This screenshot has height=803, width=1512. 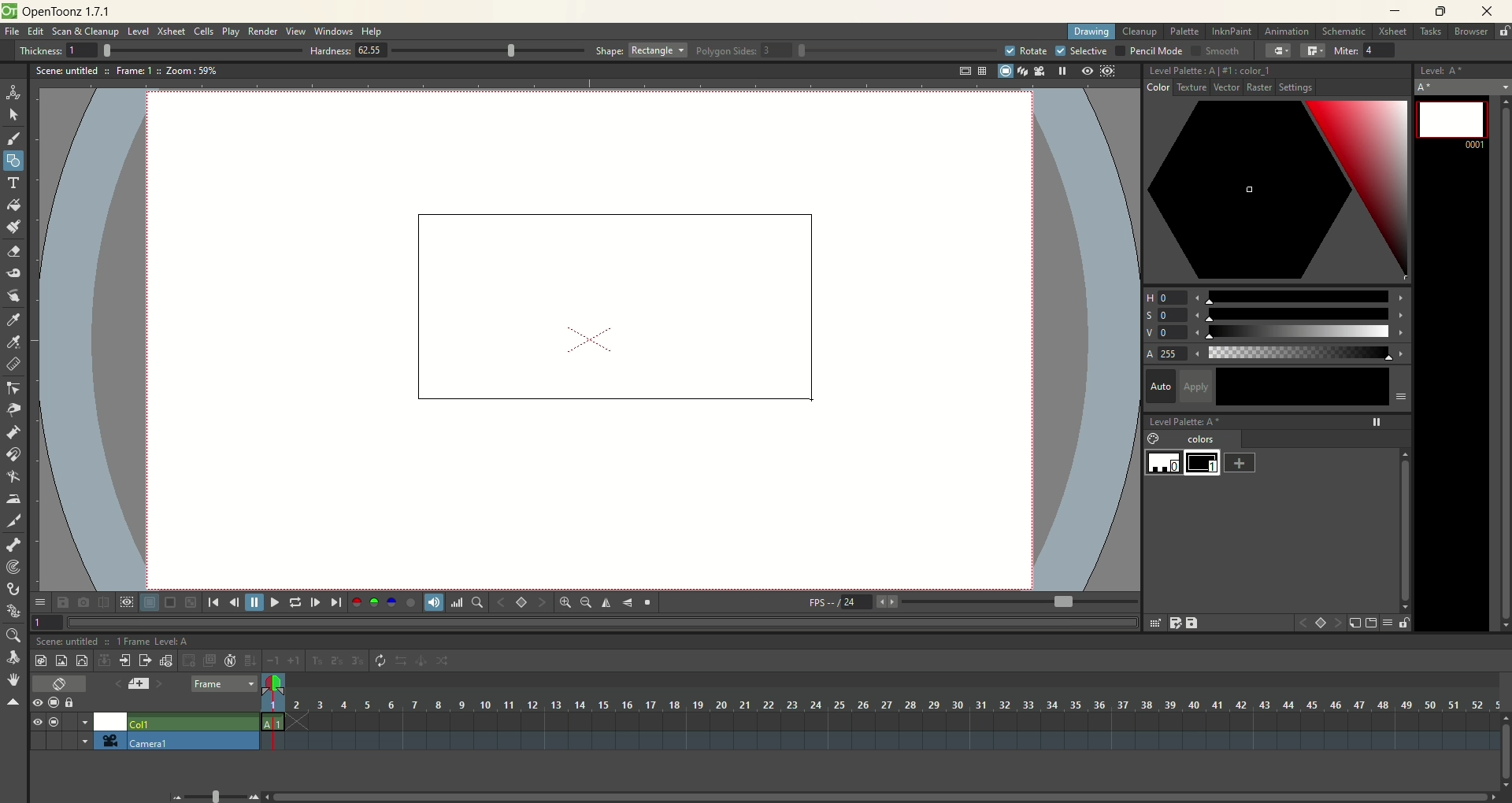 What do you see at coordinates (1464, 87) in the screenshot?
I see `A+` at bounding box center [1464, 87].